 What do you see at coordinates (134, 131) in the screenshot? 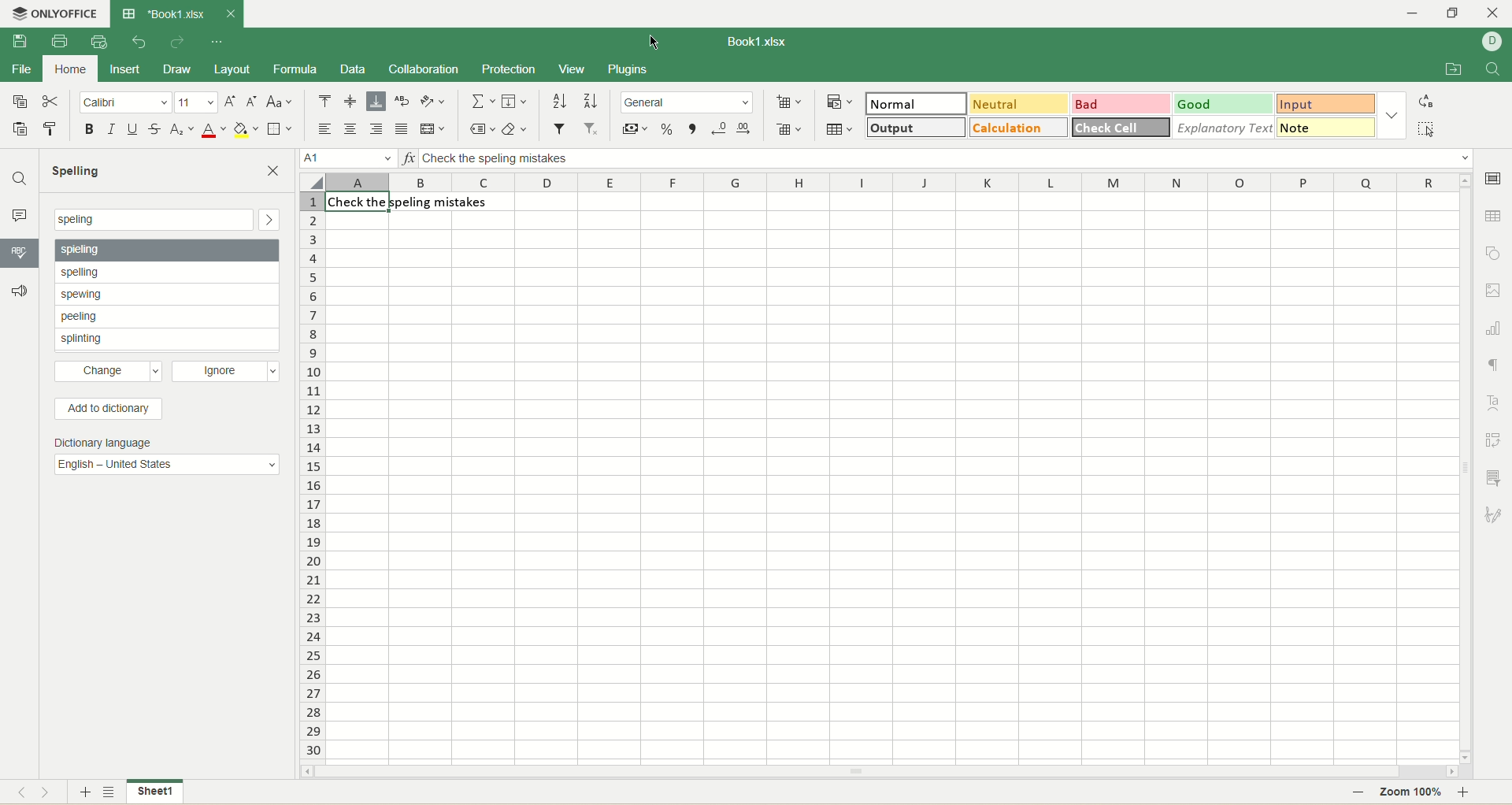
I see `underline` at bounding box center [134, 131].